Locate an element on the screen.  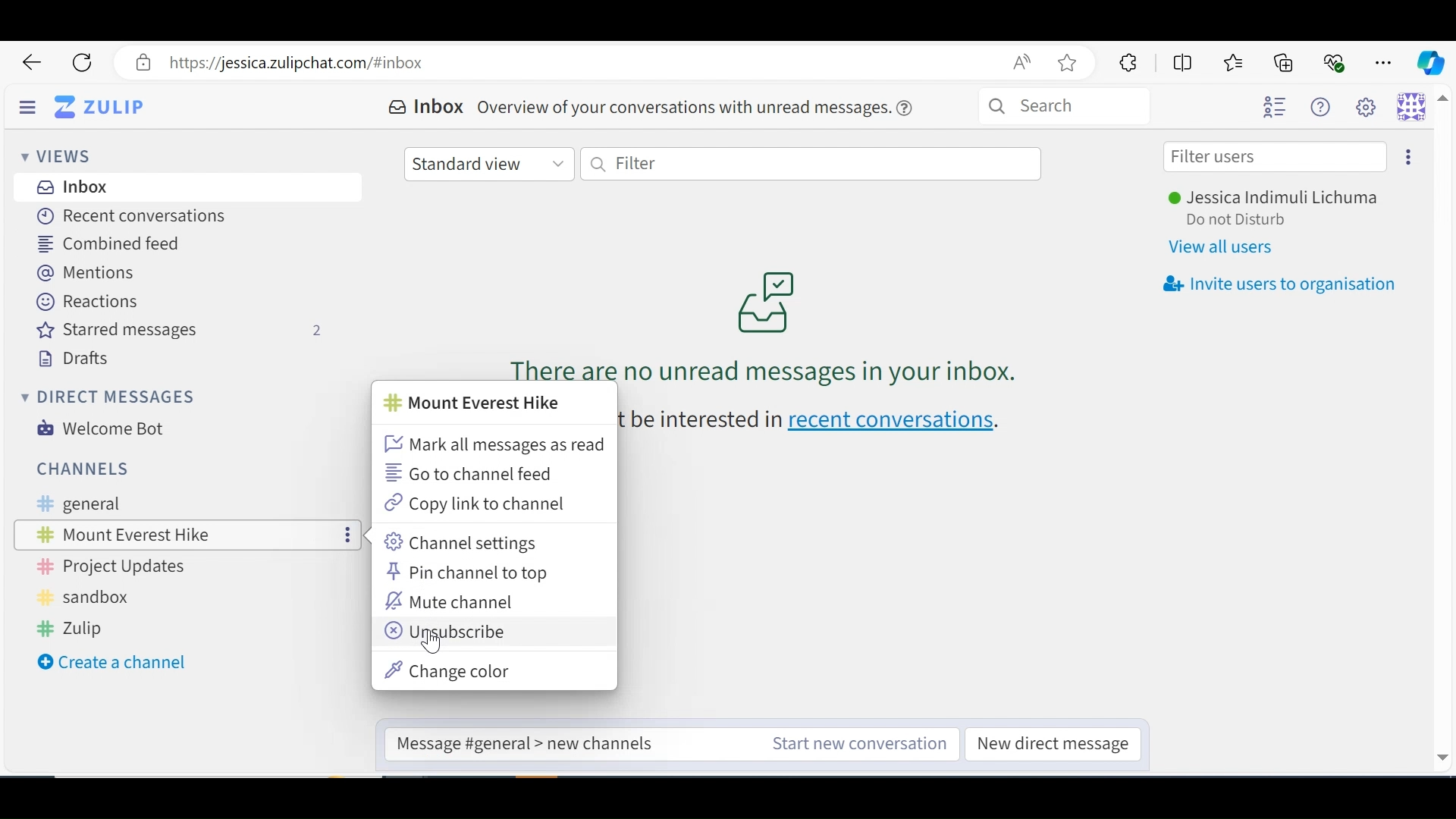
more options is located at coordinates (343, 535).